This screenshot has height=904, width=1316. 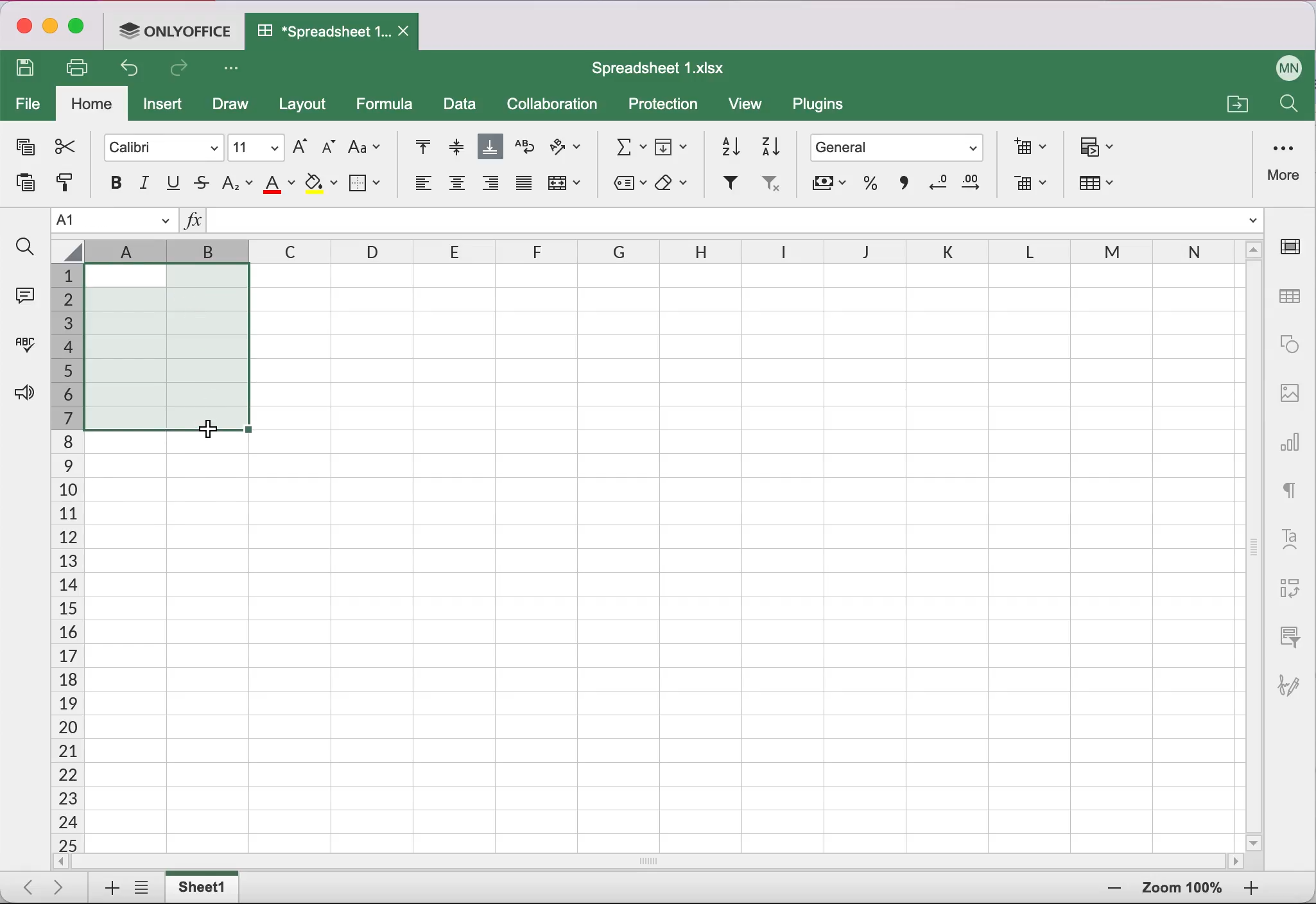 I want to click on sort descending, so click(x=772, y=145).